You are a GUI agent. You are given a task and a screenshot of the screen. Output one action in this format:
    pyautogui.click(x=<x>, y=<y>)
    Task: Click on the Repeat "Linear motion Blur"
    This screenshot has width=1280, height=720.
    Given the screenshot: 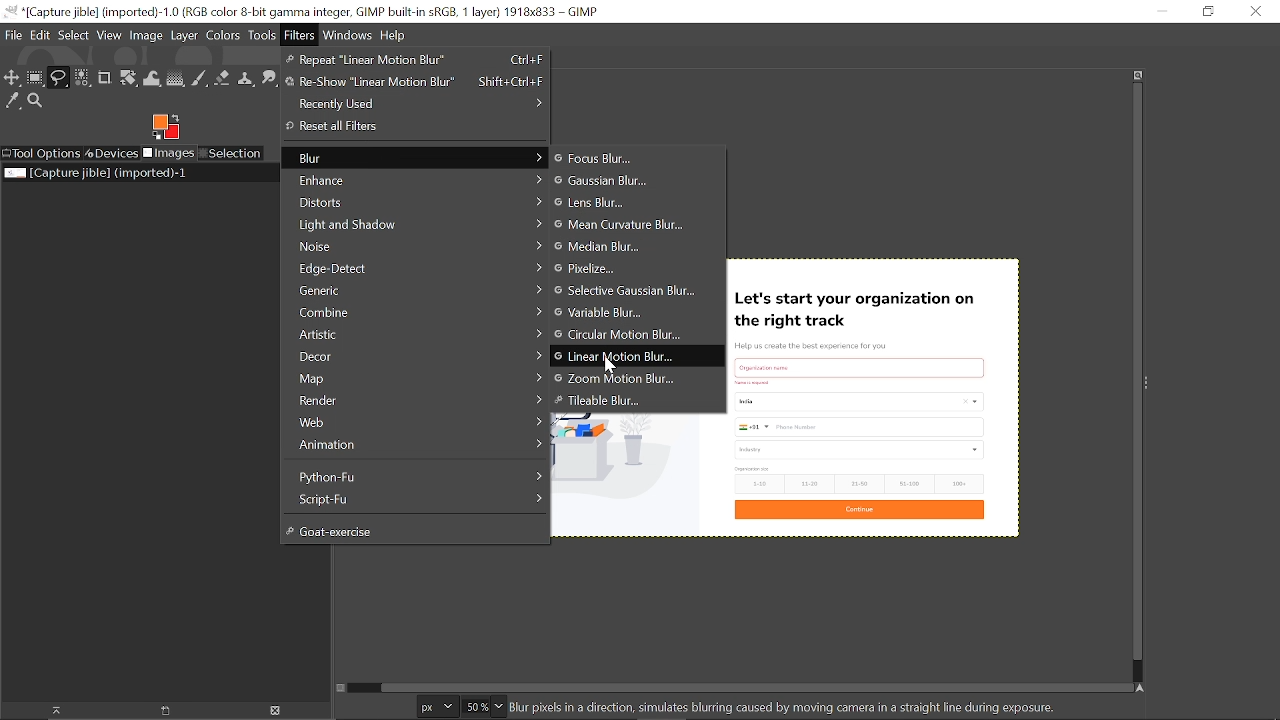 What is the action you would take?
    pyautogui.click(x=415, y=60)
    